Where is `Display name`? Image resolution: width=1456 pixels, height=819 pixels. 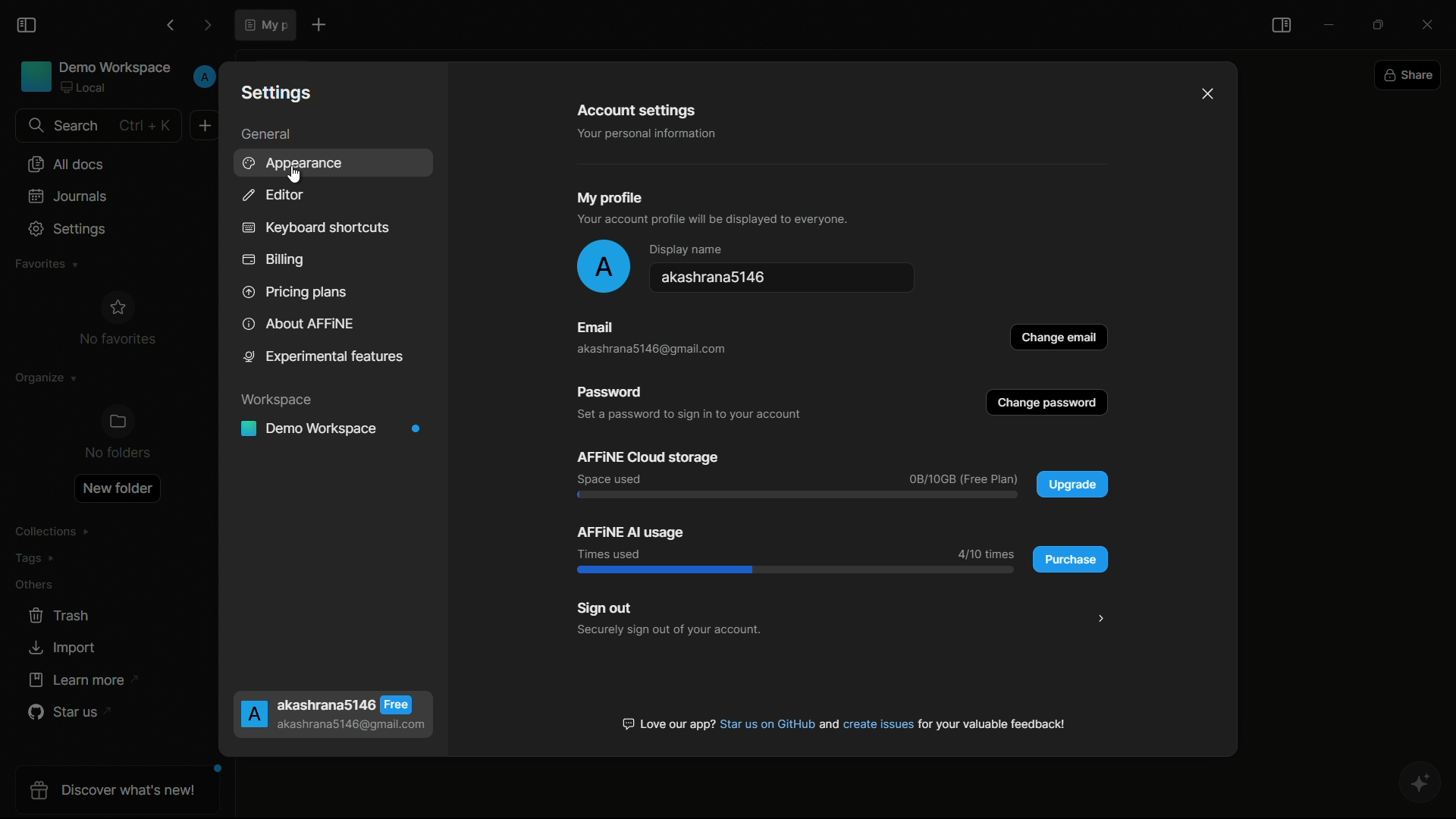 Display name is located at coordinates (685, 250).